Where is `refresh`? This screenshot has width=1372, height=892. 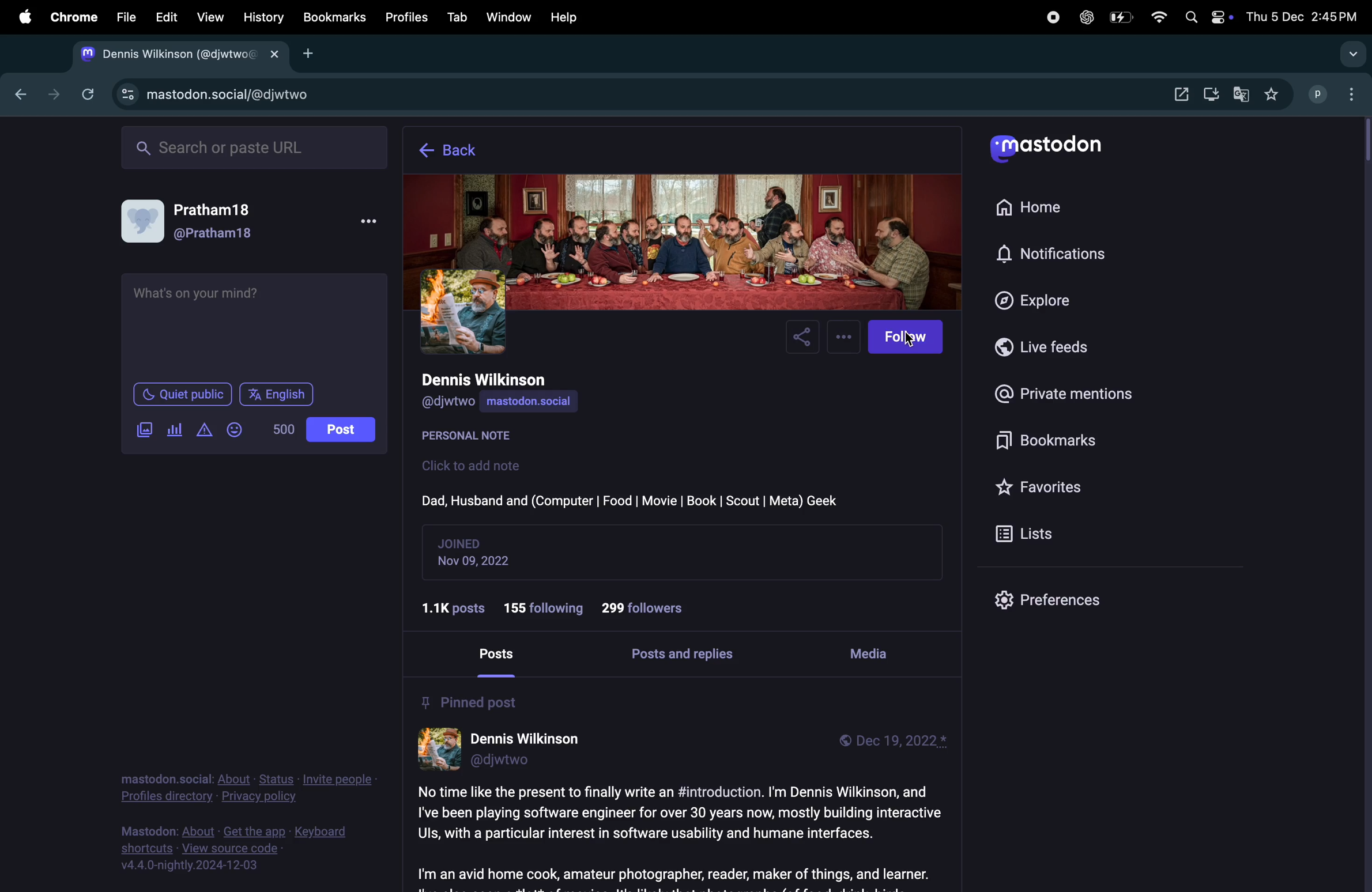 refresh is located at coordinates (87, 93).